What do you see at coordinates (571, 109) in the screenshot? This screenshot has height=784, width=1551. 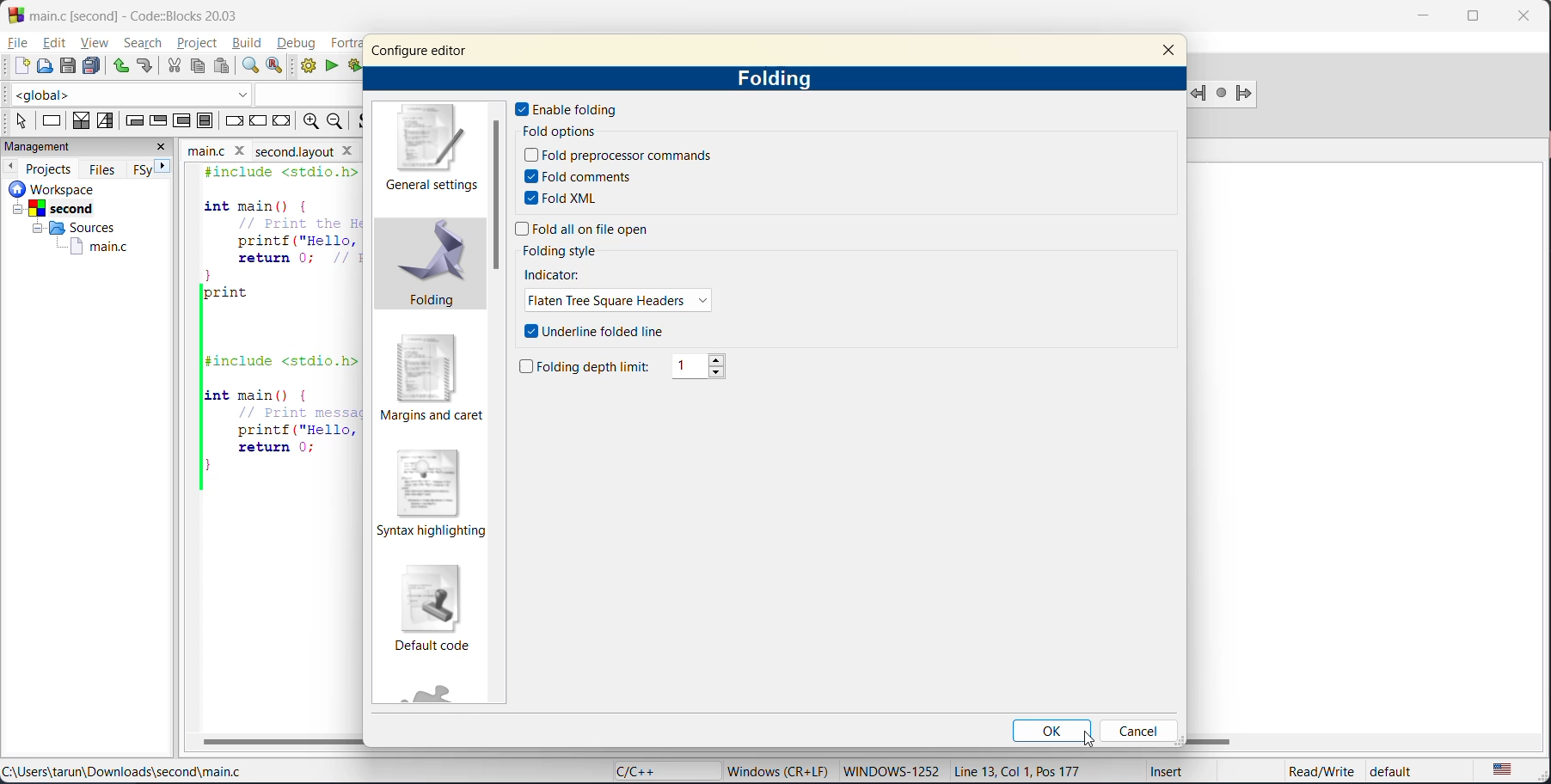 I see `enable folding` at bounding box center [571, 109].